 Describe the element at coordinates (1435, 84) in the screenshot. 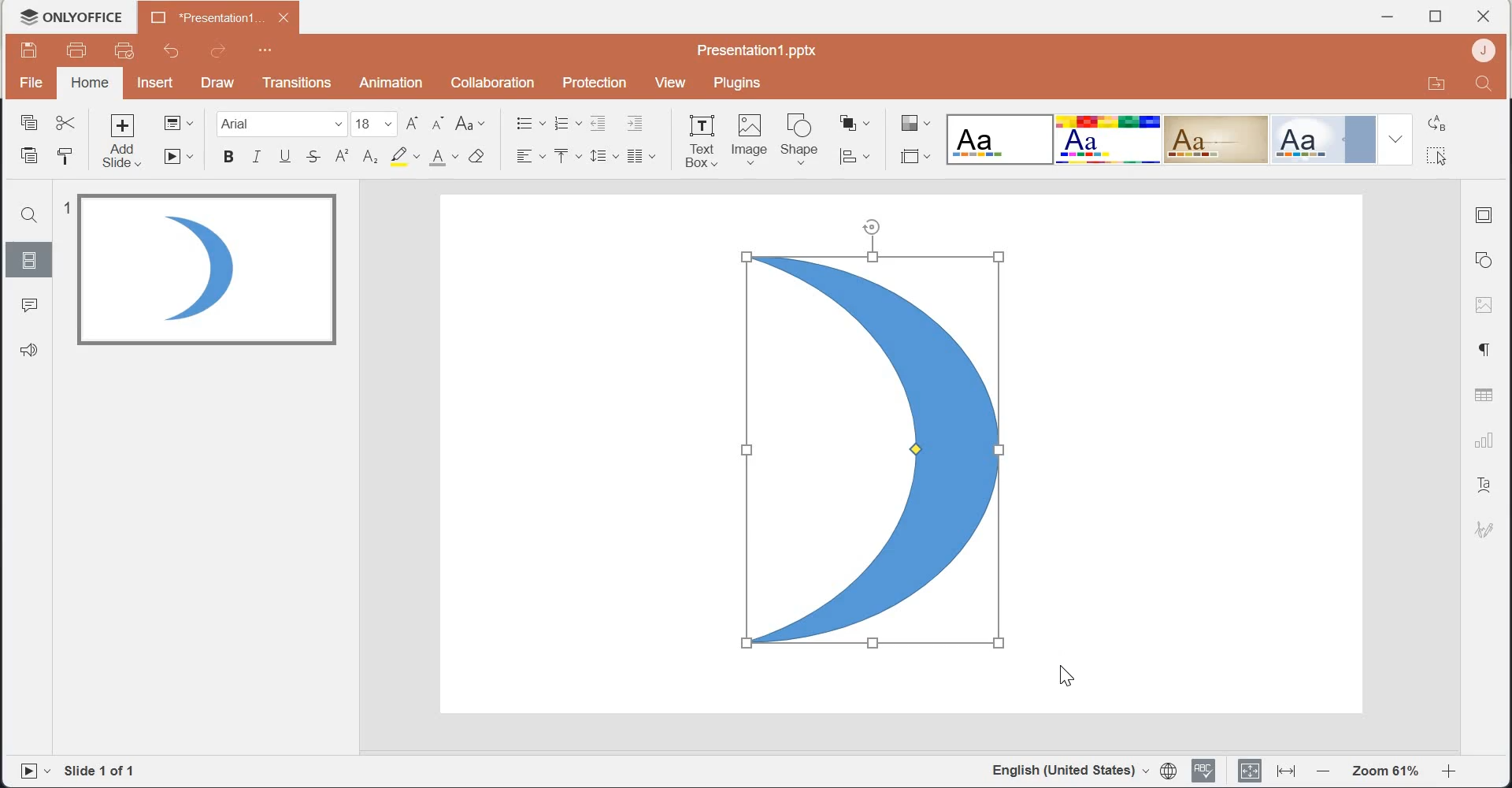

I see `Open in file location` at that location.